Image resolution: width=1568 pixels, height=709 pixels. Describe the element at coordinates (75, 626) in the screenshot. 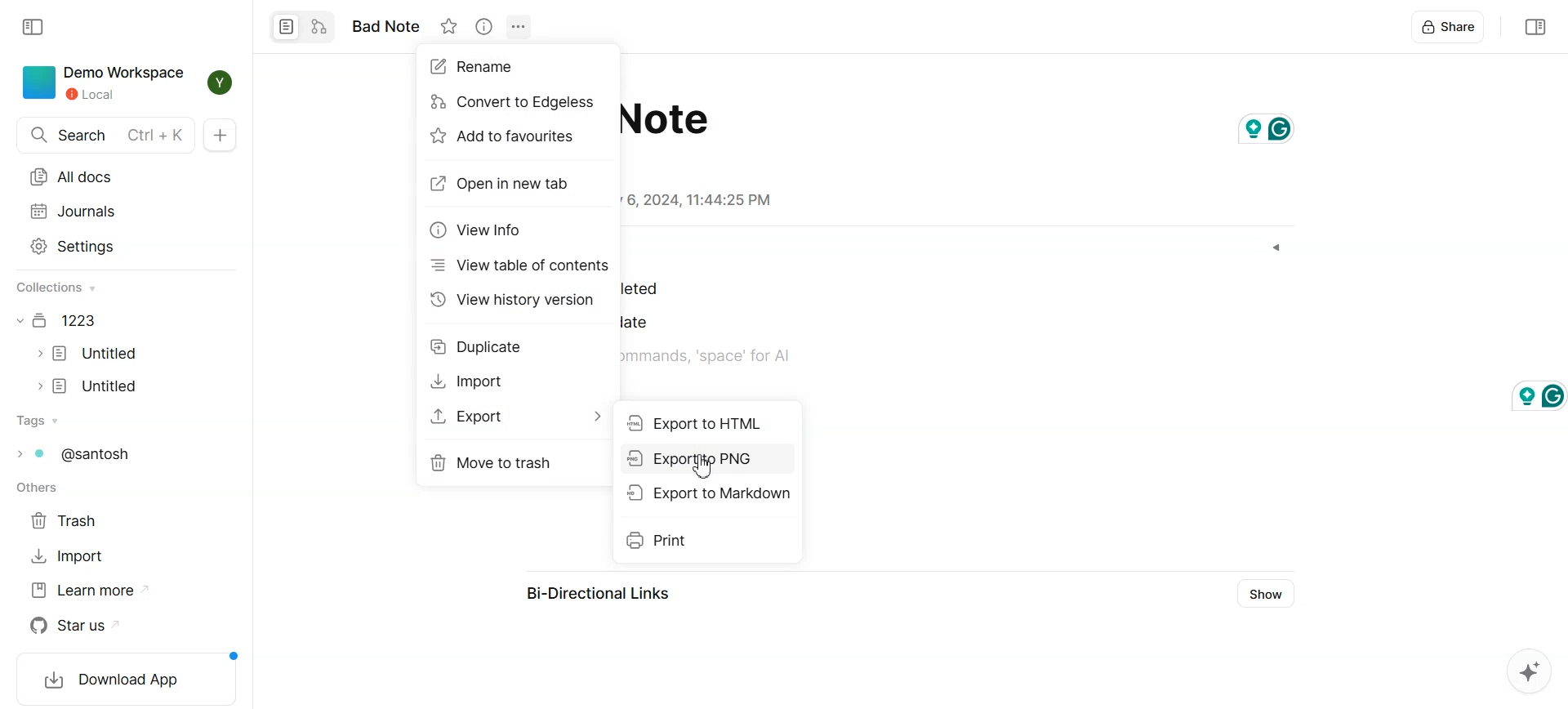

I see `Star us` at that location.